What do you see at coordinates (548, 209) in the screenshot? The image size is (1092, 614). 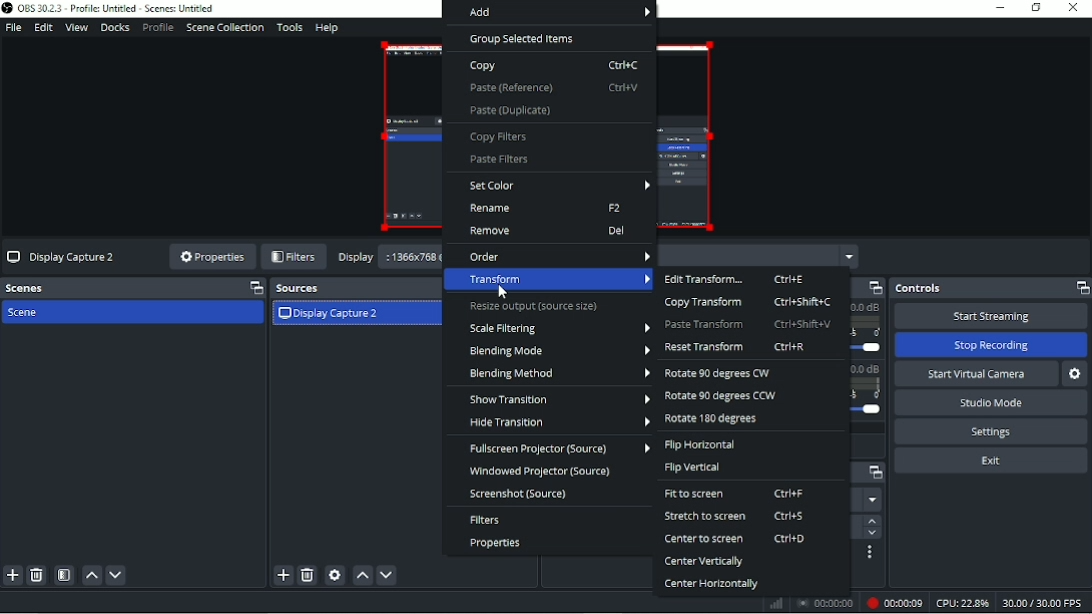 I see `Rename` at bounding box center [548, 209].